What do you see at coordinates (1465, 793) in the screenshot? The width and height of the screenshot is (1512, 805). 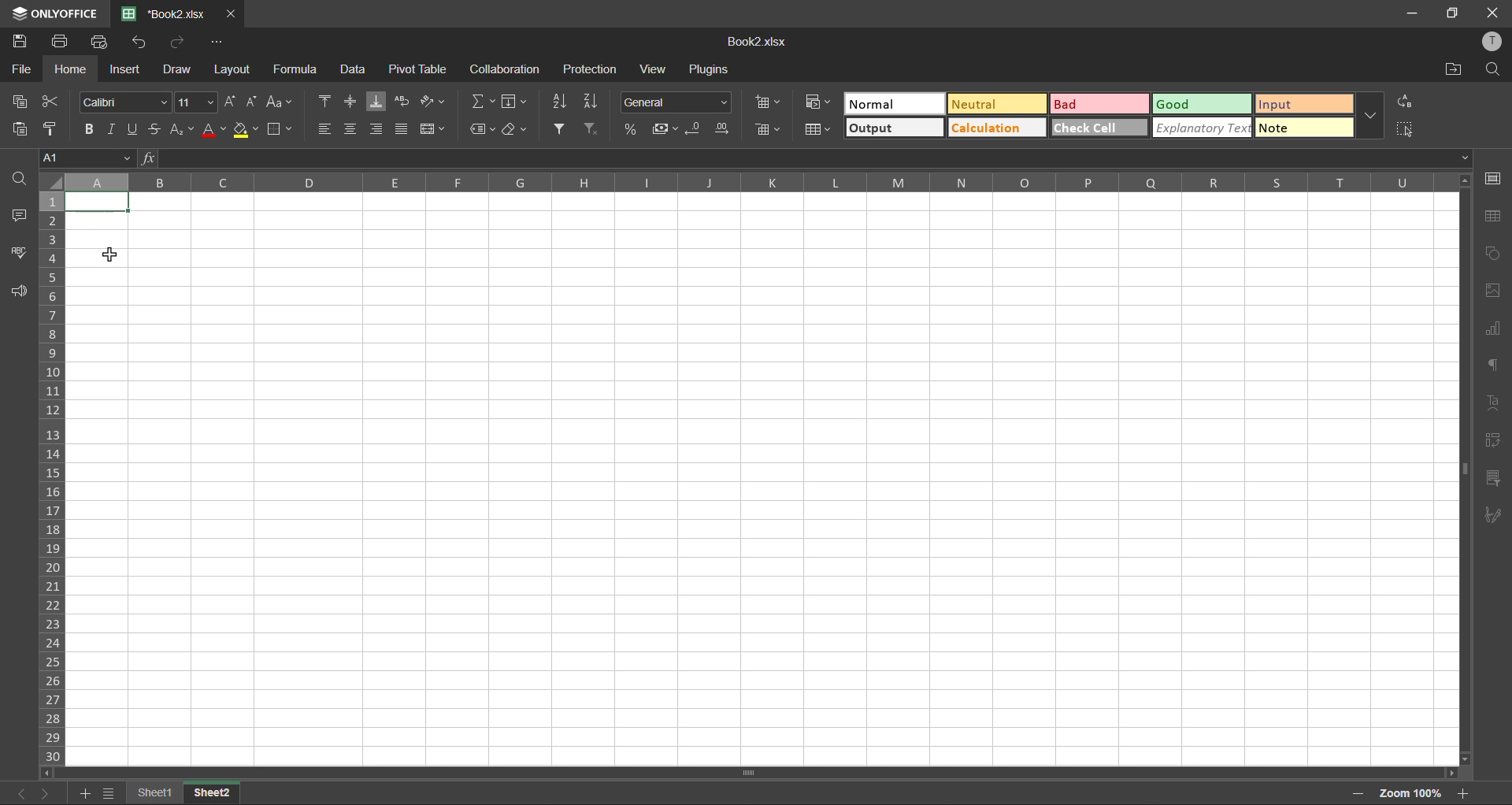 I see `zoom in ` at bounding box center [1465, 793].